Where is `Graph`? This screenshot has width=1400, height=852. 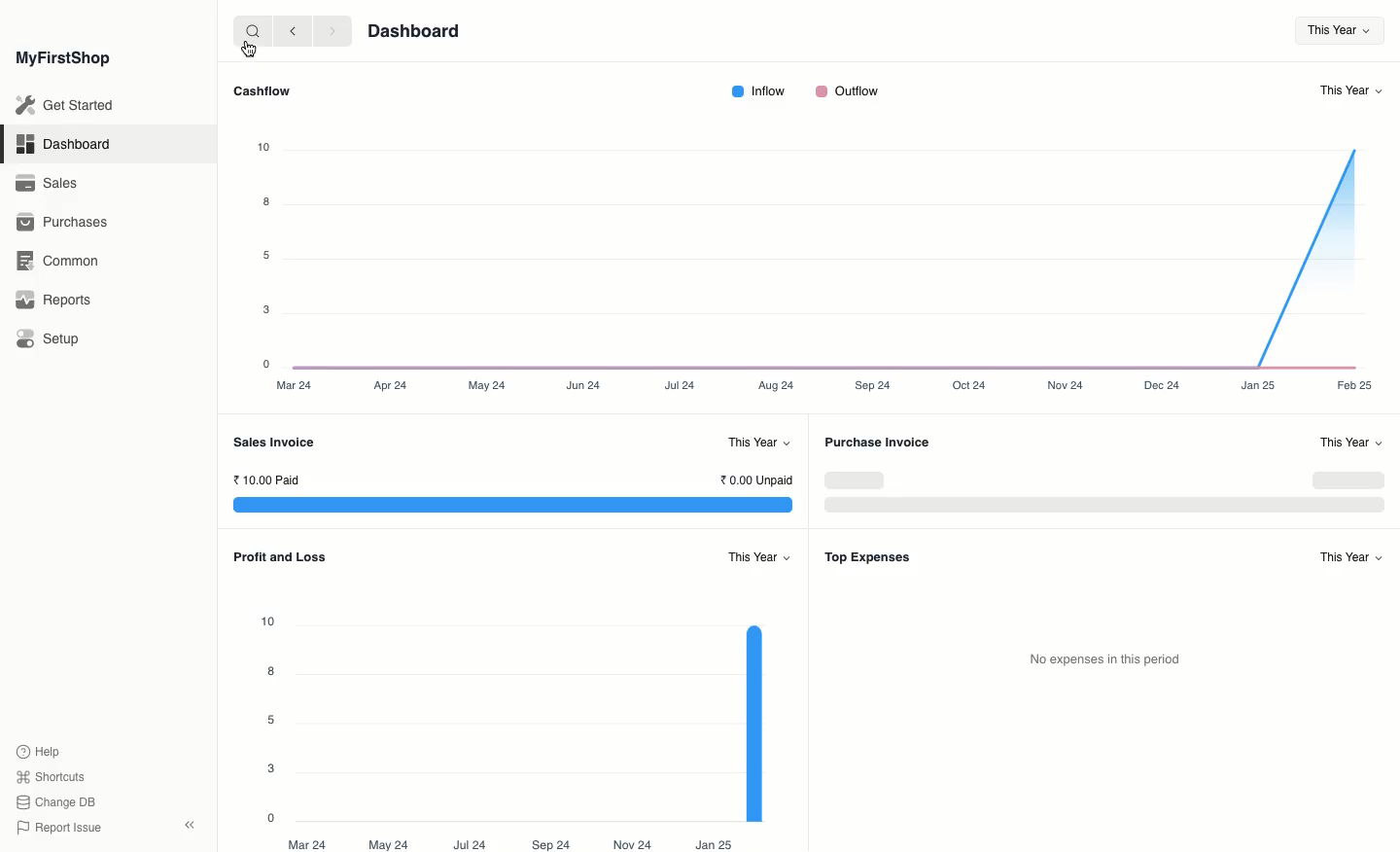
Graph is located at coordinates (545, 715).